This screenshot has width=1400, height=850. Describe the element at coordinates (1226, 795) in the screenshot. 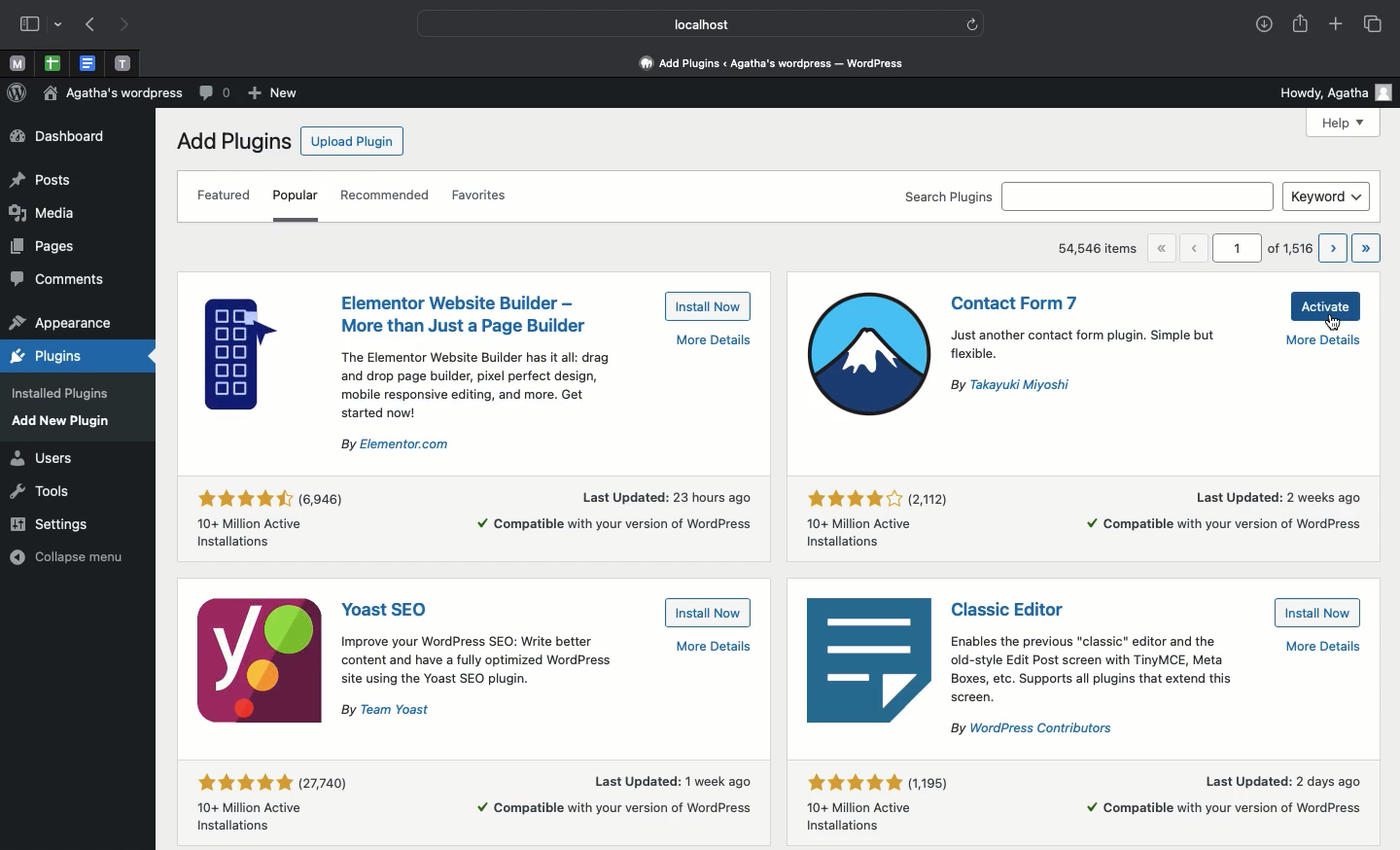

I see `More details` at that location.